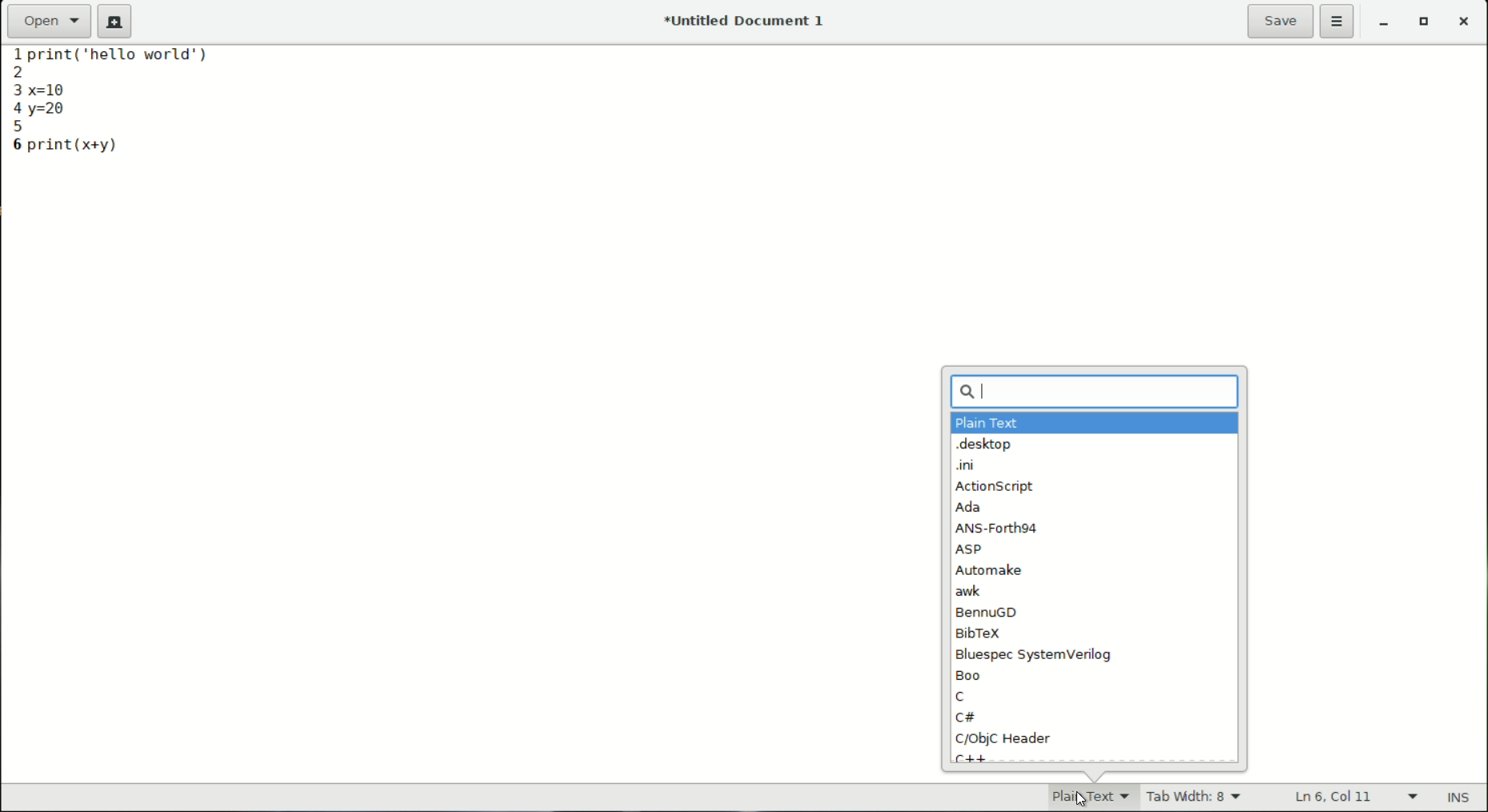 This screenshot has height=812, width=1488. I want to click on ada, so click(968, 509).